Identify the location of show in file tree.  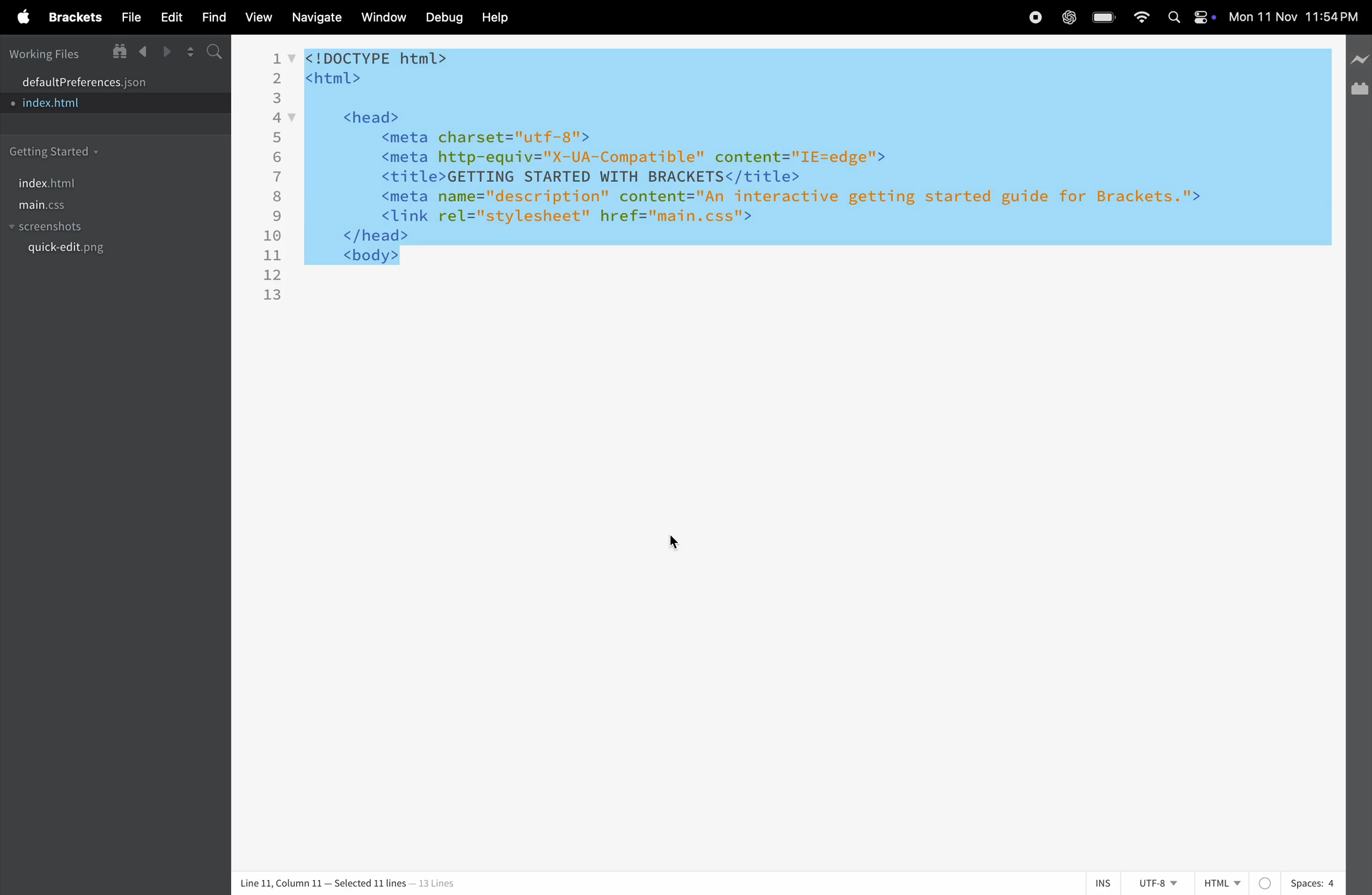
(116, 51).